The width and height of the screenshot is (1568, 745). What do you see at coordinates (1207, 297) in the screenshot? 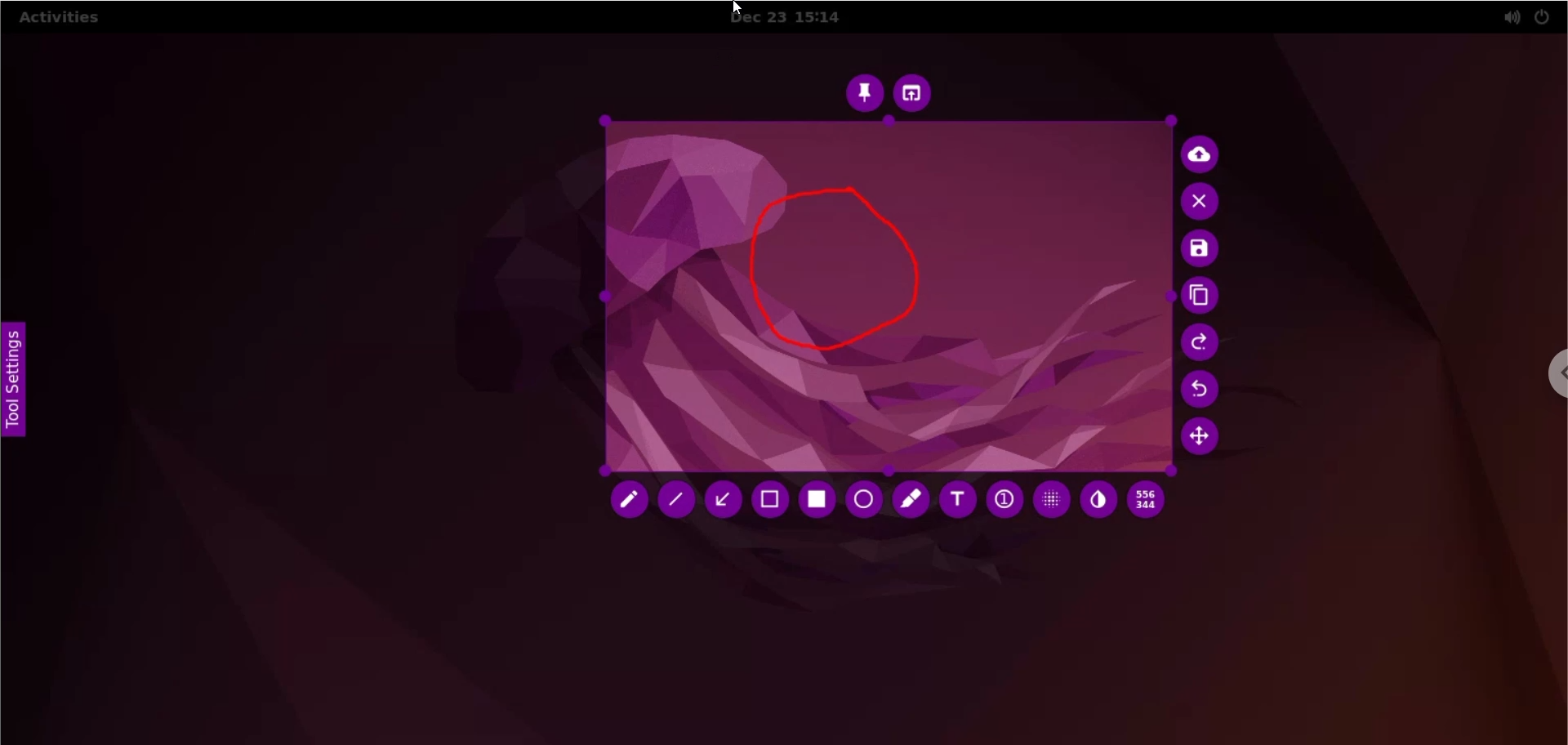
I see `copy to clipboard` at bounding box center [1207, 297].